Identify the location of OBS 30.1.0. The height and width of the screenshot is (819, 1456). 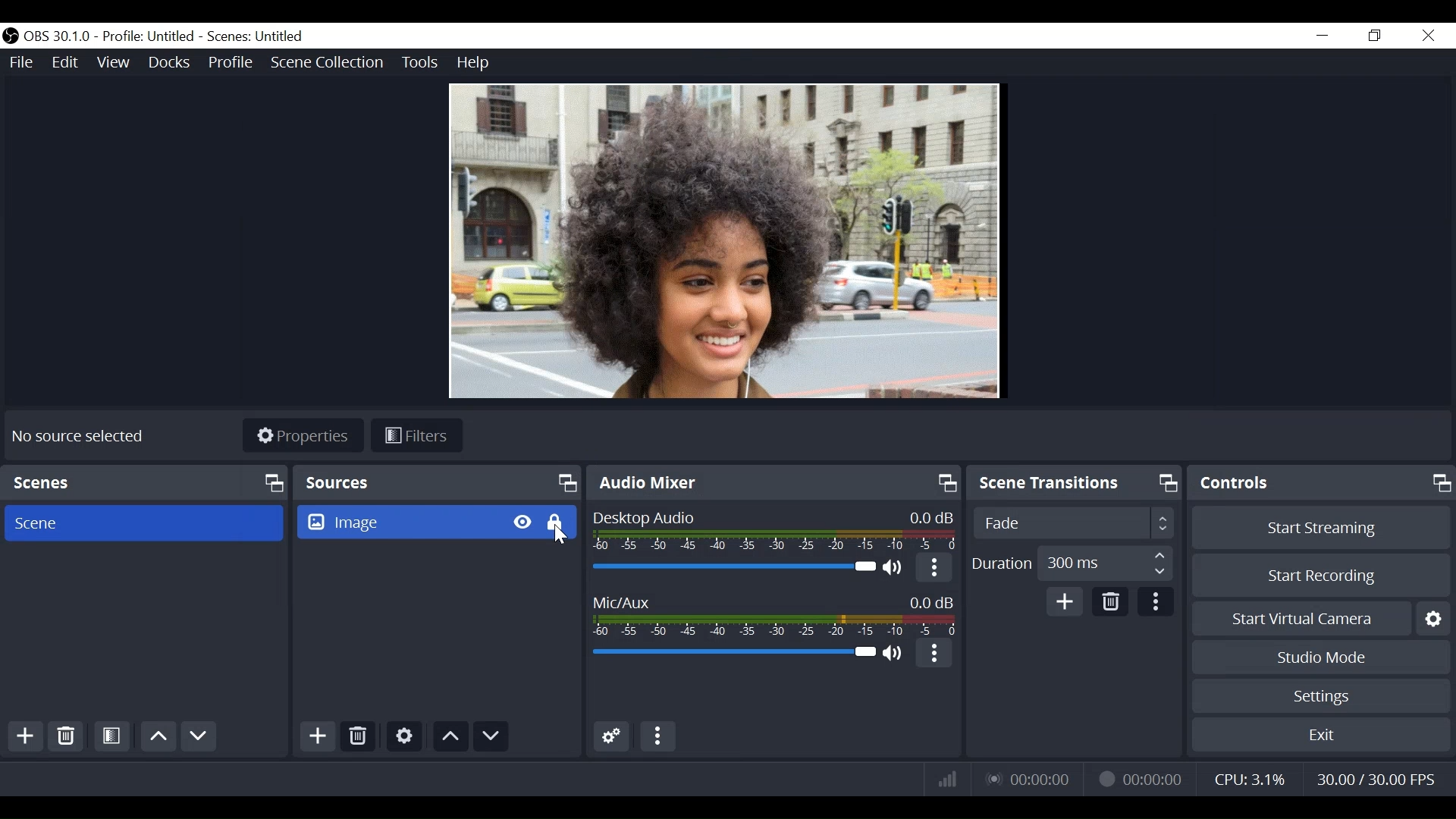
(58, 36).